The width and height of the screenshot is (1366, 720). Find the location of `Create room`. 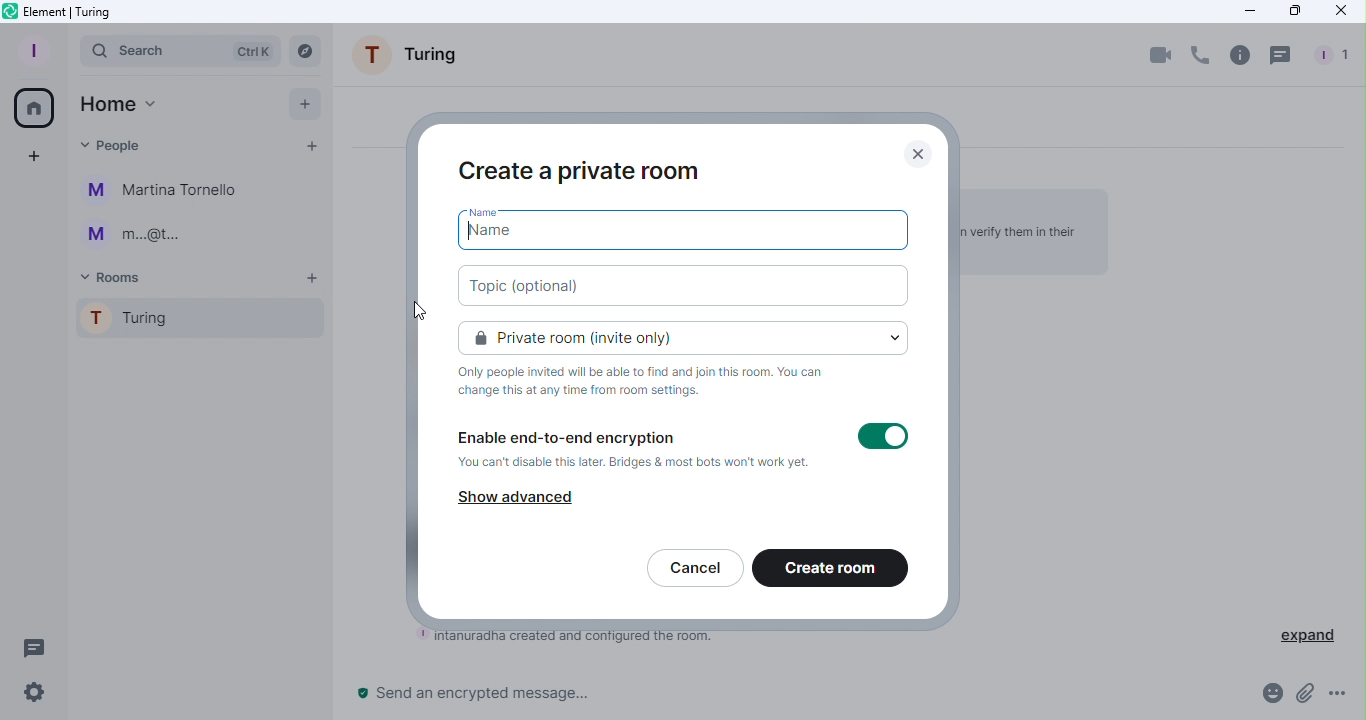

Create room is located at coordinates (832, 570).